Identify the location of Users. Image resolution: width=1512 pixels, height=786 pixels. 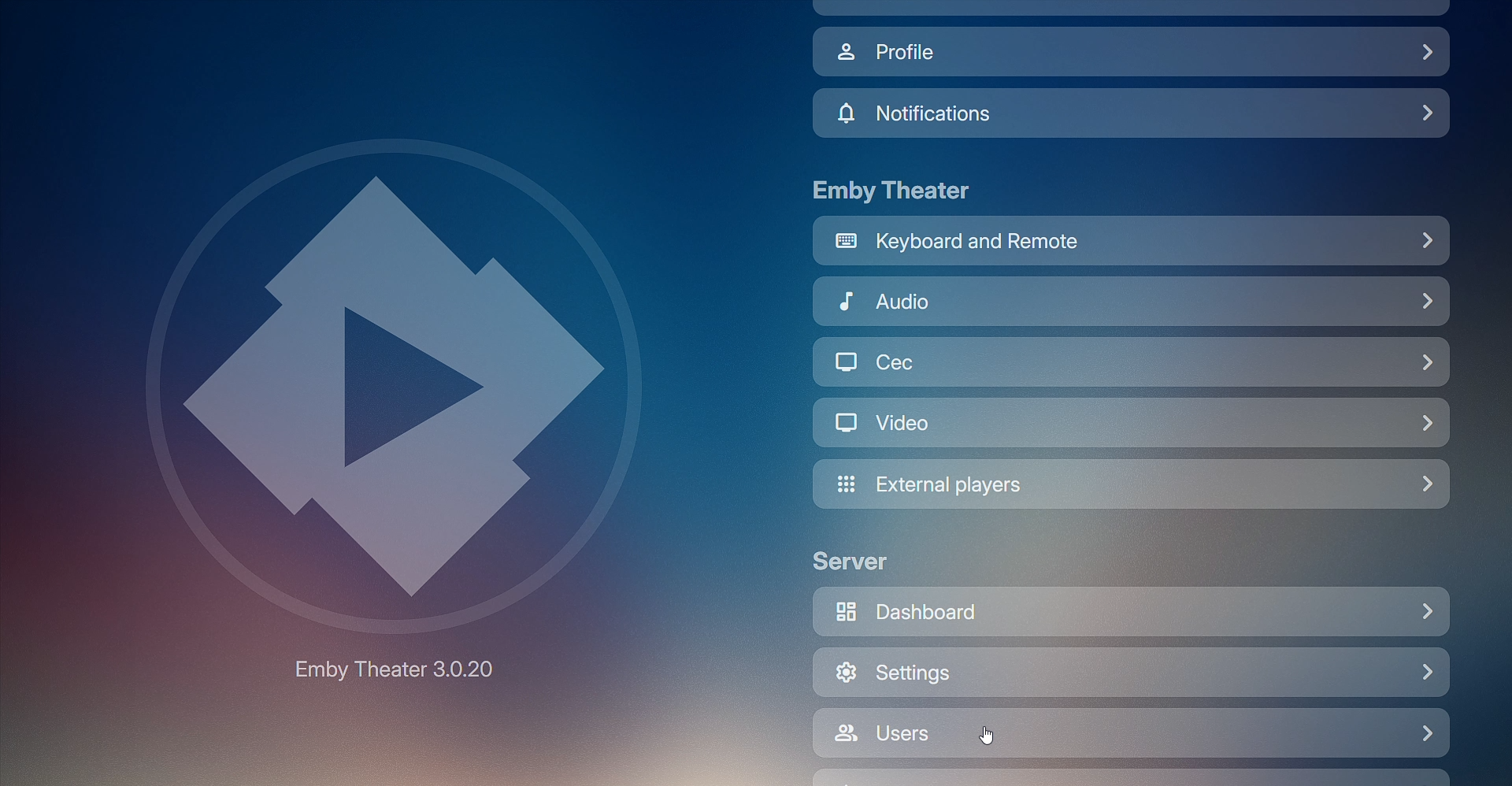
(1131, 732).